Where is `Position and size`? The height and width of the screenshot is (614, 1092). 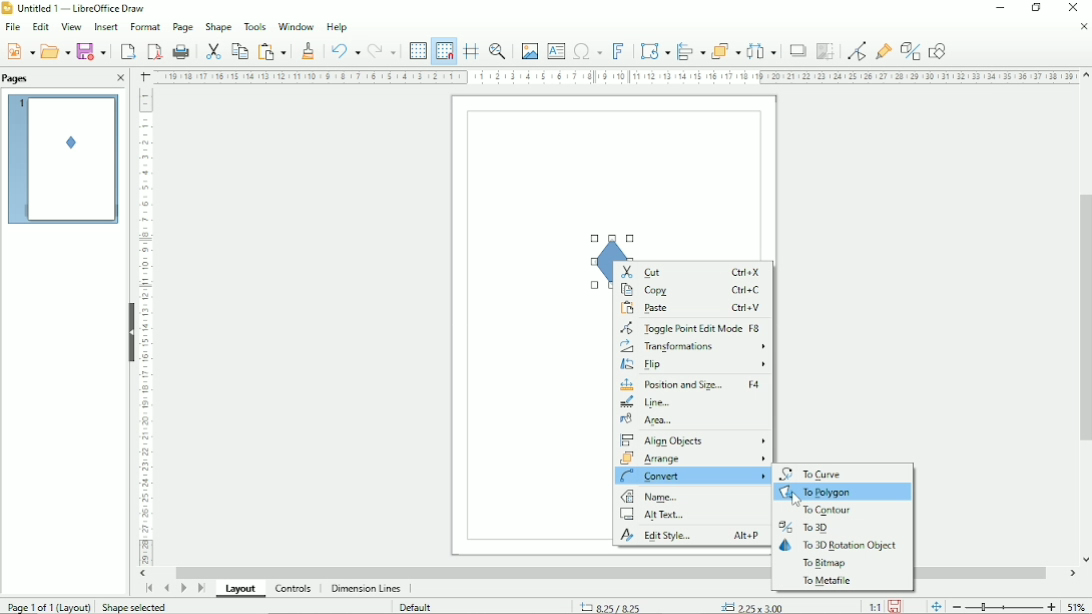
Position and size is located at coordinates (693, 386).